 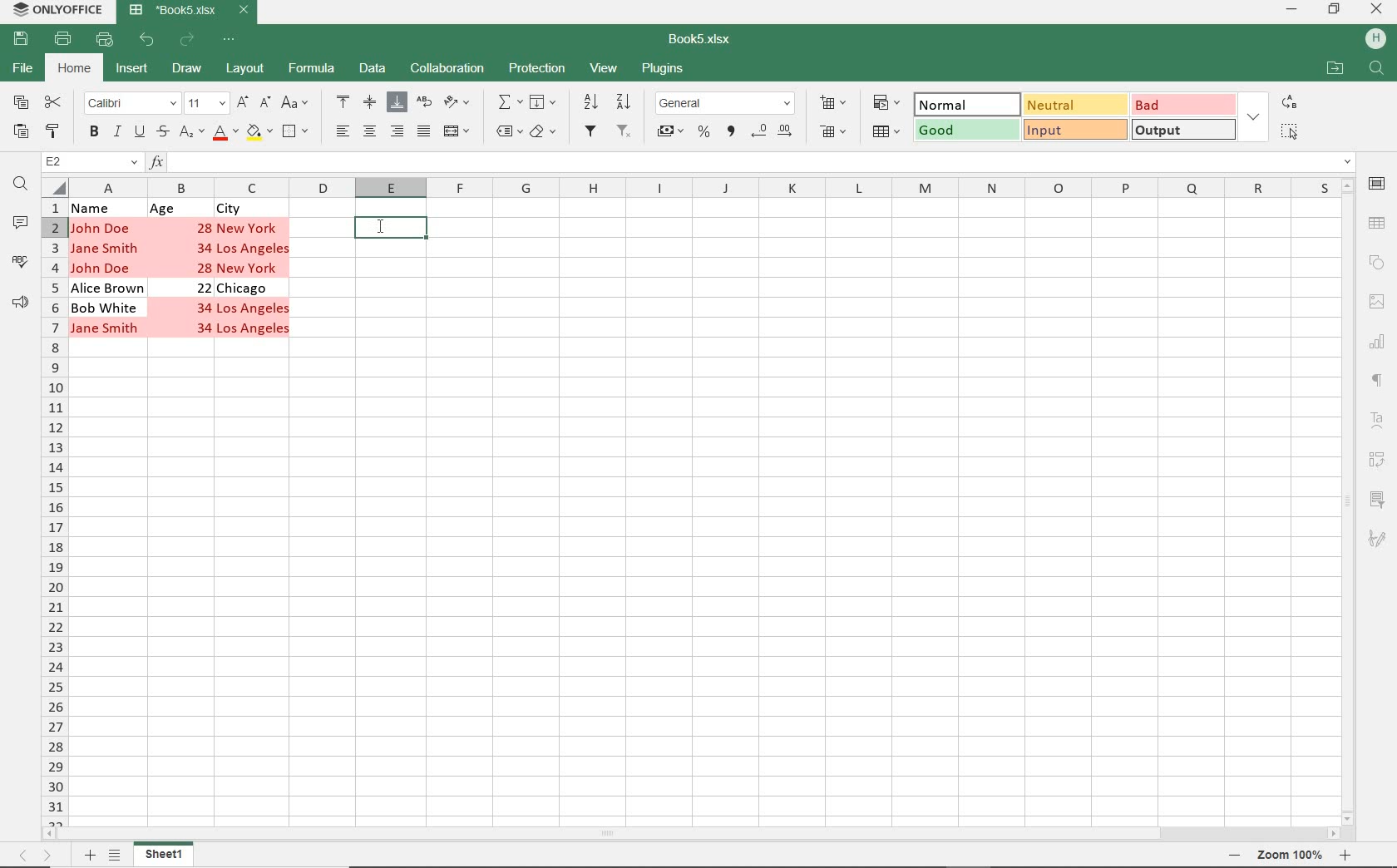 What do you see at coordinates (207, 247) in the screenshot?
I see `34` at bounding box center [207, 247].